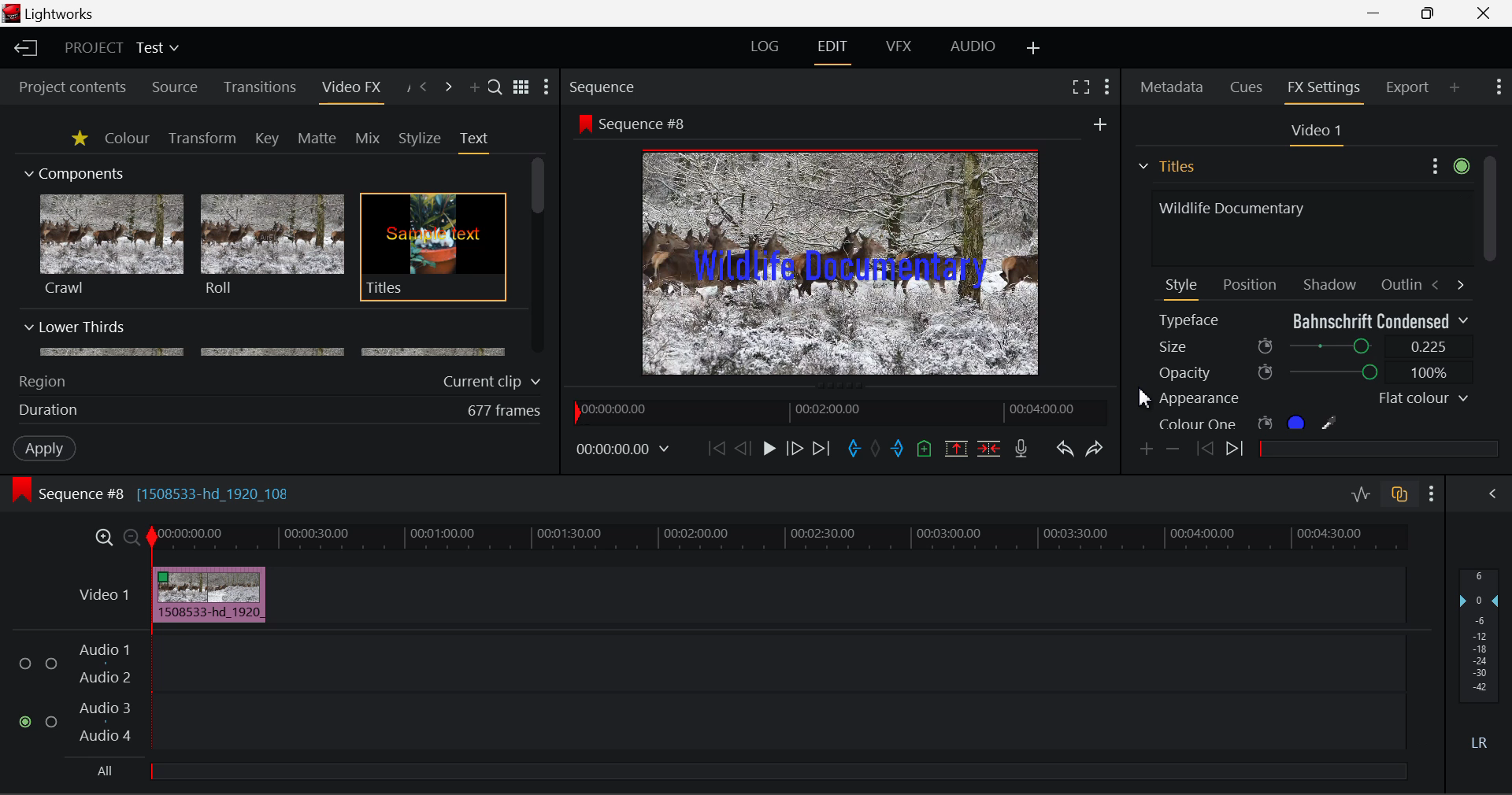 This screenshot has width=1512, height=795. What do you see at coordinates (1489, 294) in the screenshot?
I see `Scroll Bar` at bounding box center [1489, 294].